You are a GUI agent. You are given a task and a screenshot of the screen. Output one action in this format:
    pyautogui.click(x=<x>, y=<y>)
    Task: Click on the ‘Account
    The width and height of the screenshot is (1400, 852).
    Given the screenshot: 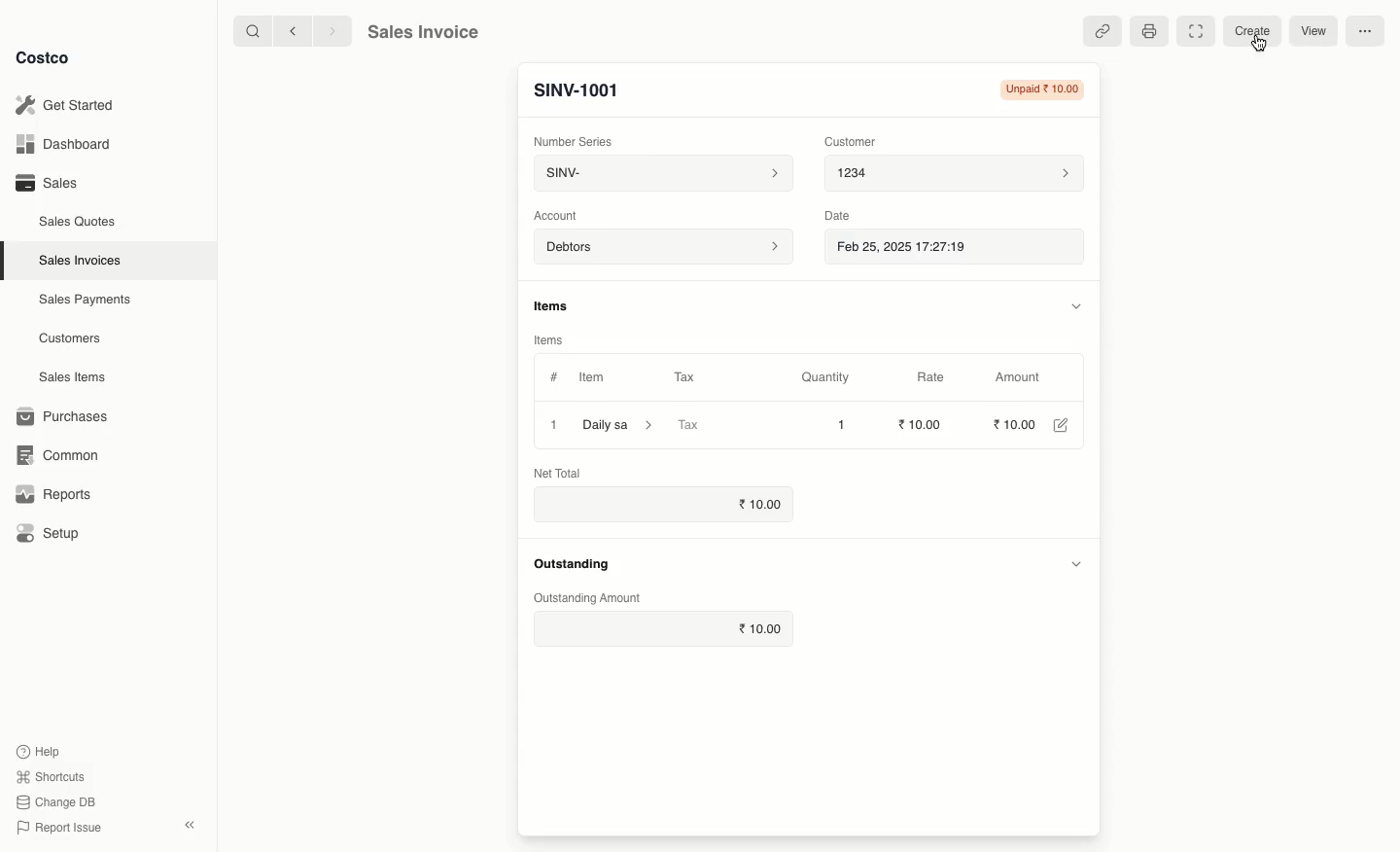 What is the action you would take?
    pyautogui.click(x=558, y=216)
    